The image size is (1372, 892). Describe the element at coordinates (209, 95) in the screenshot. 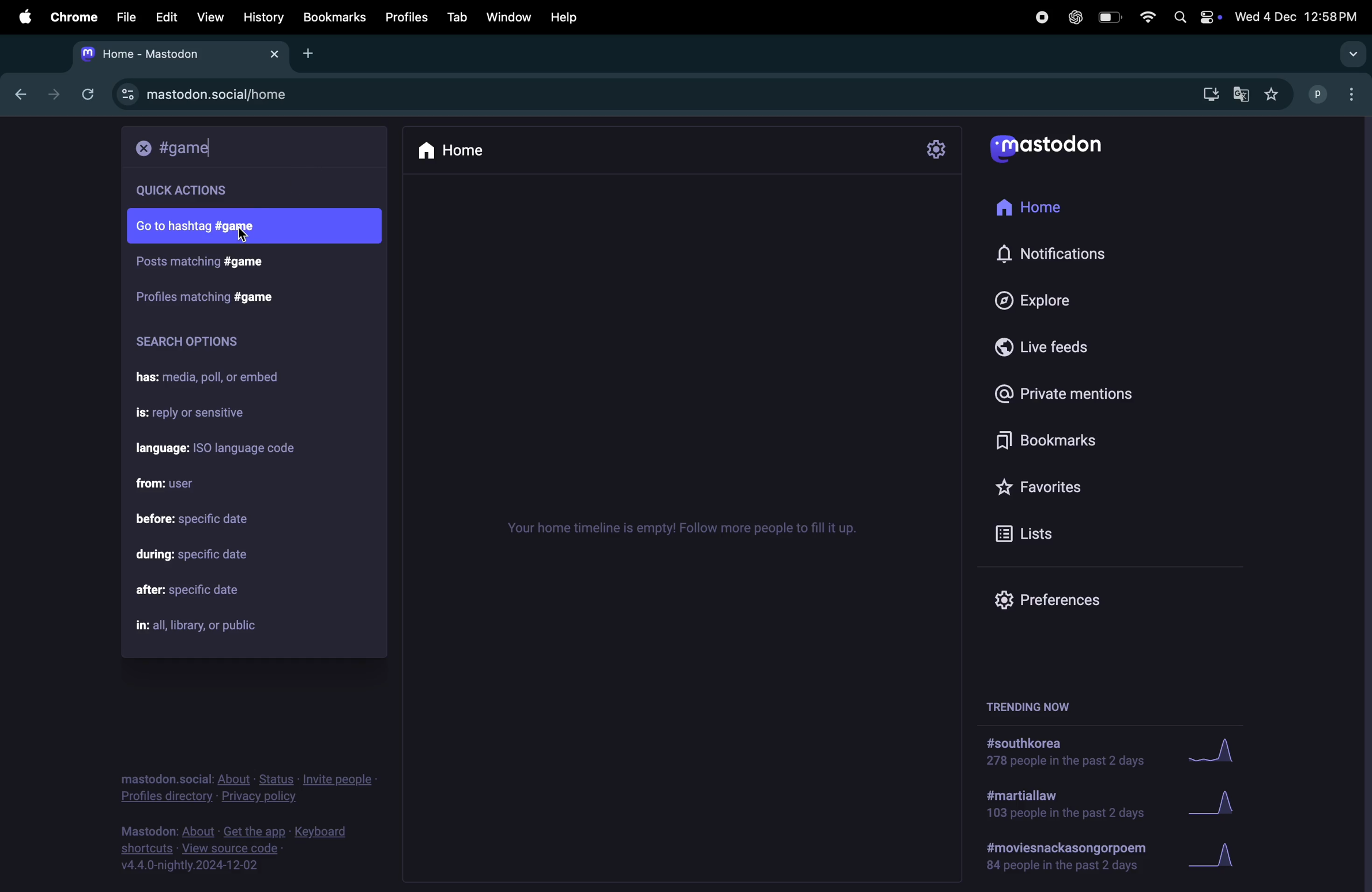

I see `mastodon url` at that location.